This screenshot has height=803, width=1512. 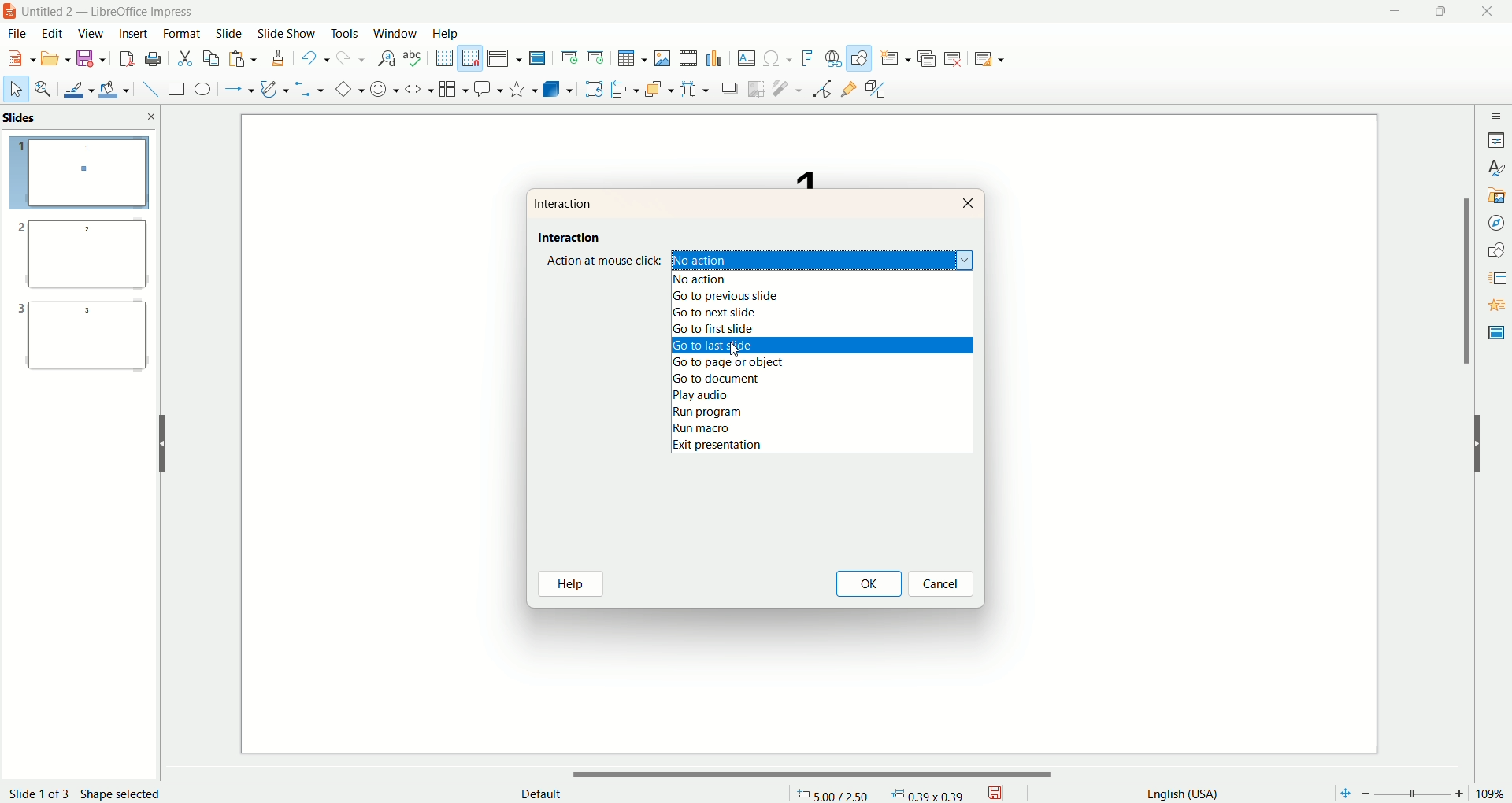 What do you see at coordinates (716, 59) in the screenshot?
I see `insert chart` at bounding box center [716, 59].